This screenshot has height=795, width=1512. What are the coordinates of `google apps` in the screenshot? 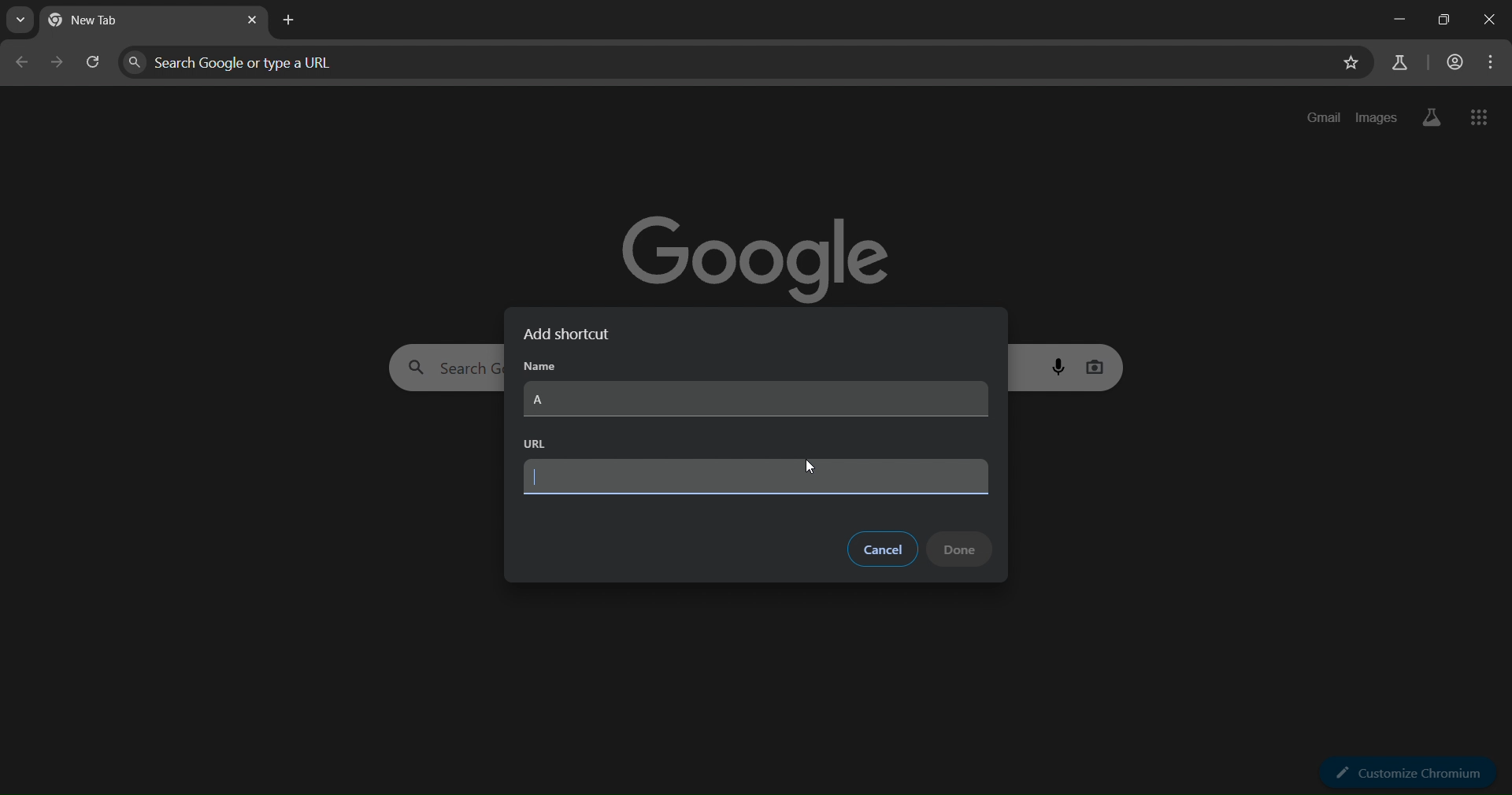 It's located at (1481, 116).